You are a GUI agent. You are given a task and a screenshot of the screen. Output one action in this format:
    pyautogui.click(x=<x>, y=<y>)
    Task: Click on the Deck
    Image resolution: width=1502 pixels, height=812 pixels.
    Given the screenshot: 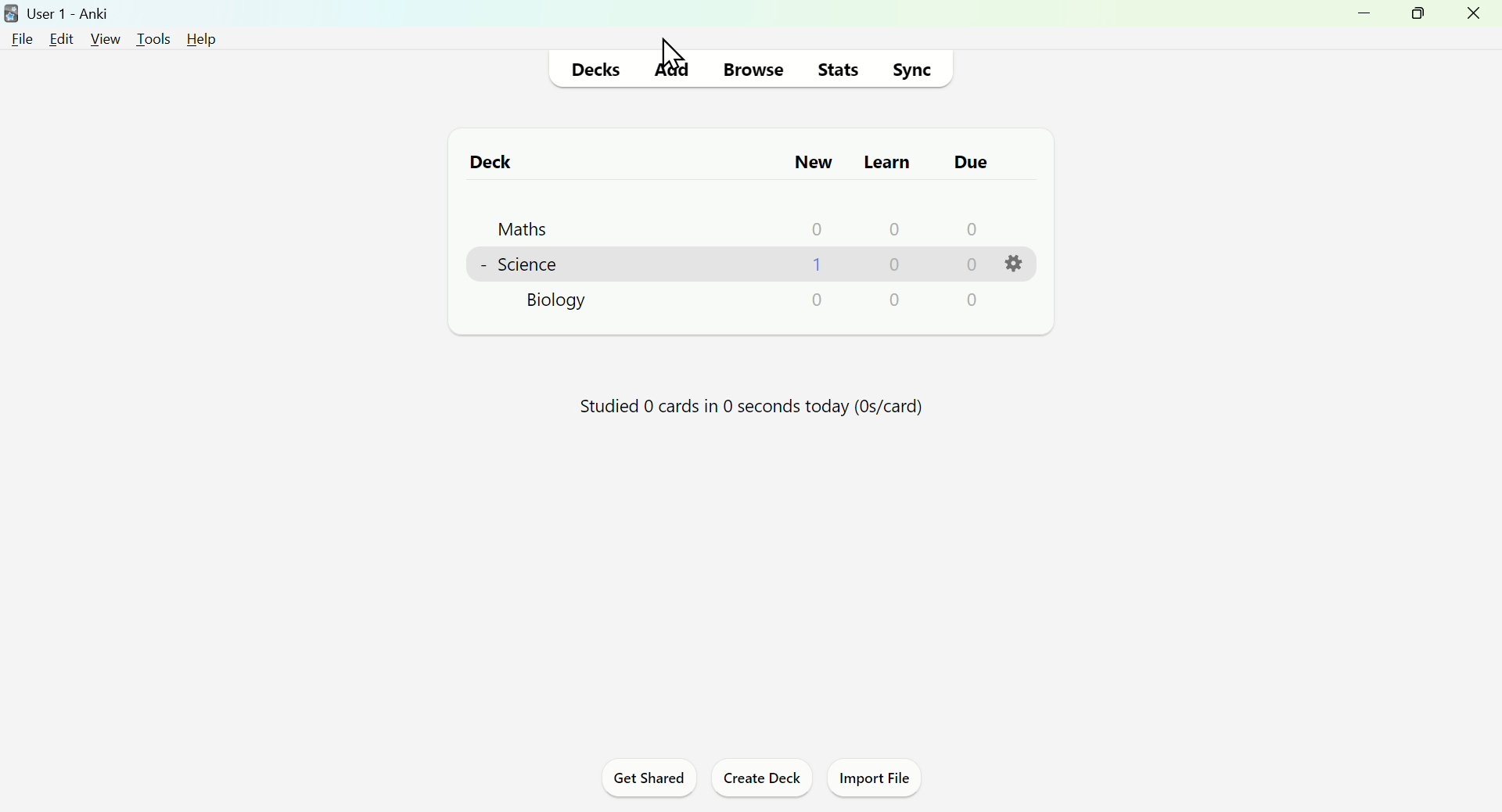 What is the action you would take?
    pyautogui.click(x=490, y=164)
    